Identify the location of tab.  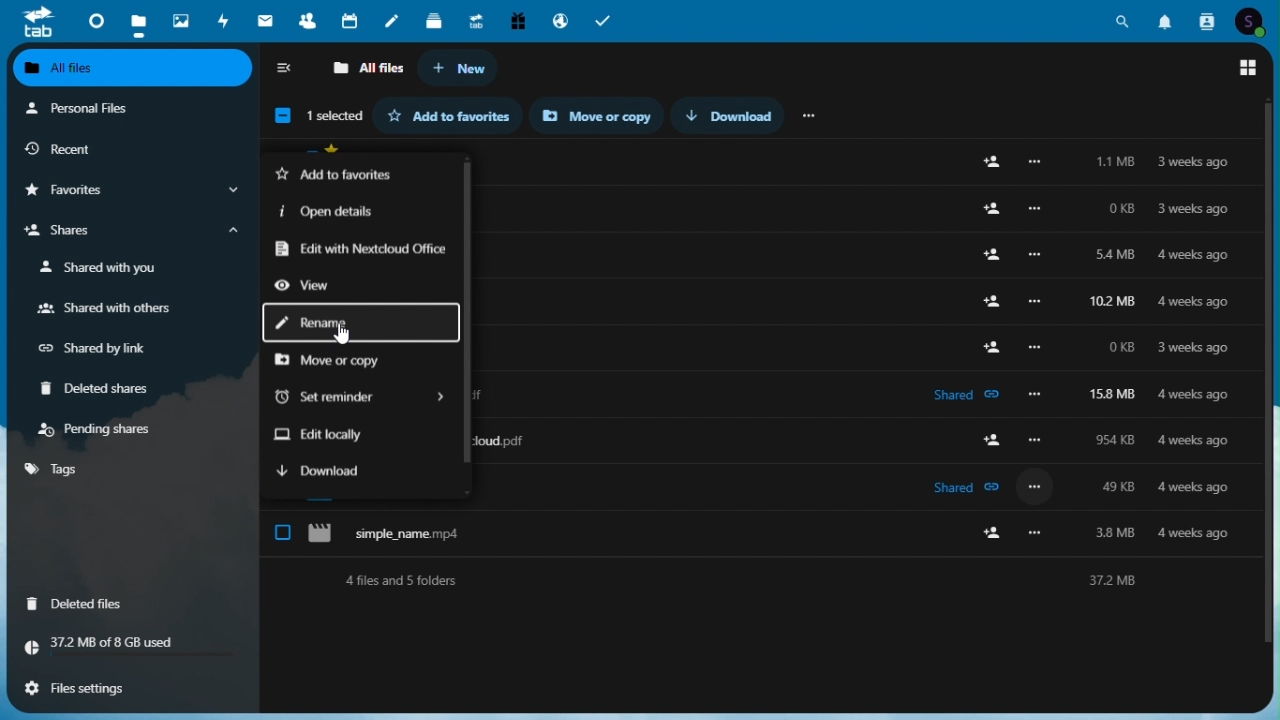
(30, 21).